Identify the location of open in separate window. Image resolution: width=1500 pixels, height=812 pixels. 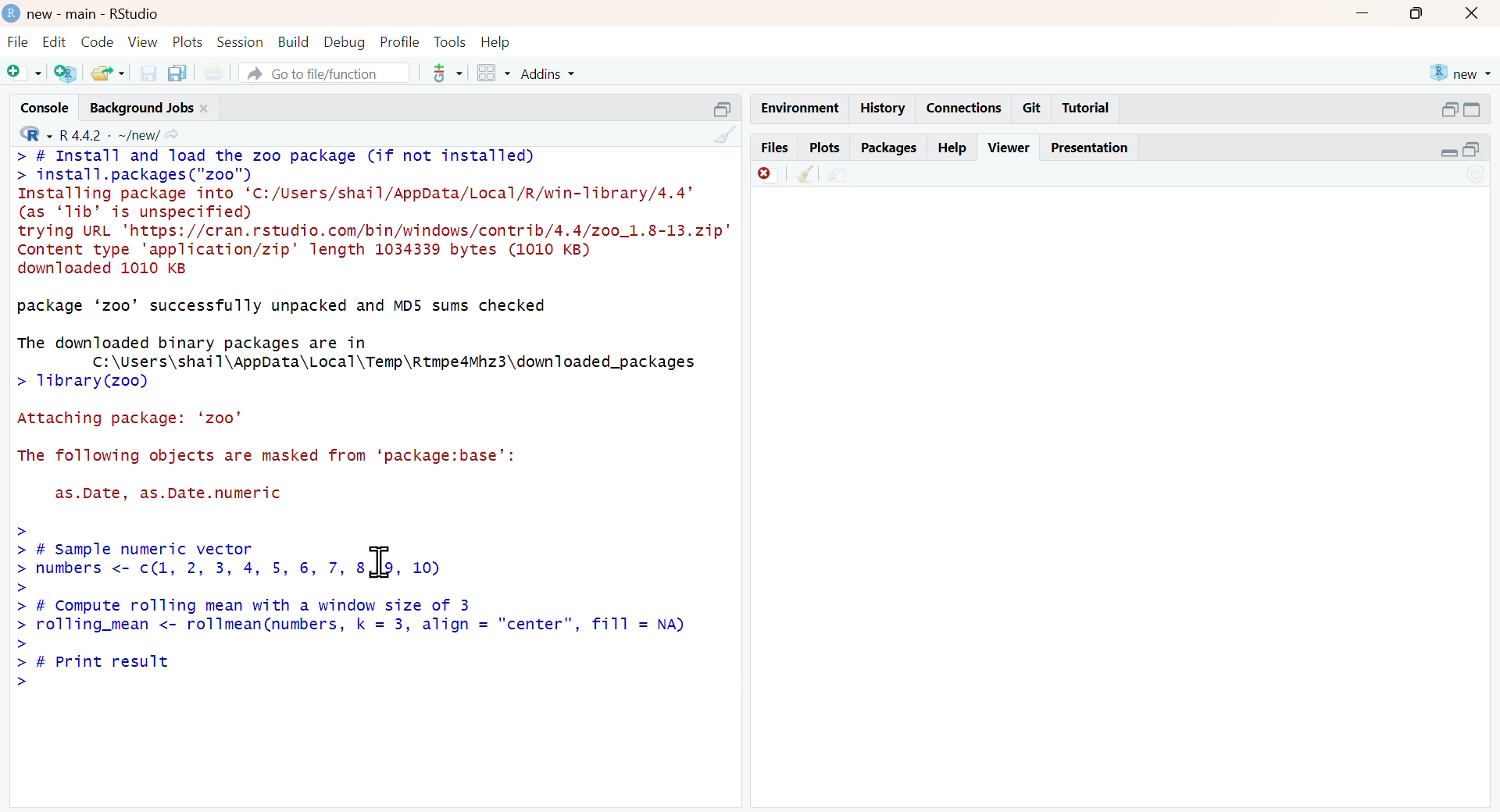
(1471, 149).